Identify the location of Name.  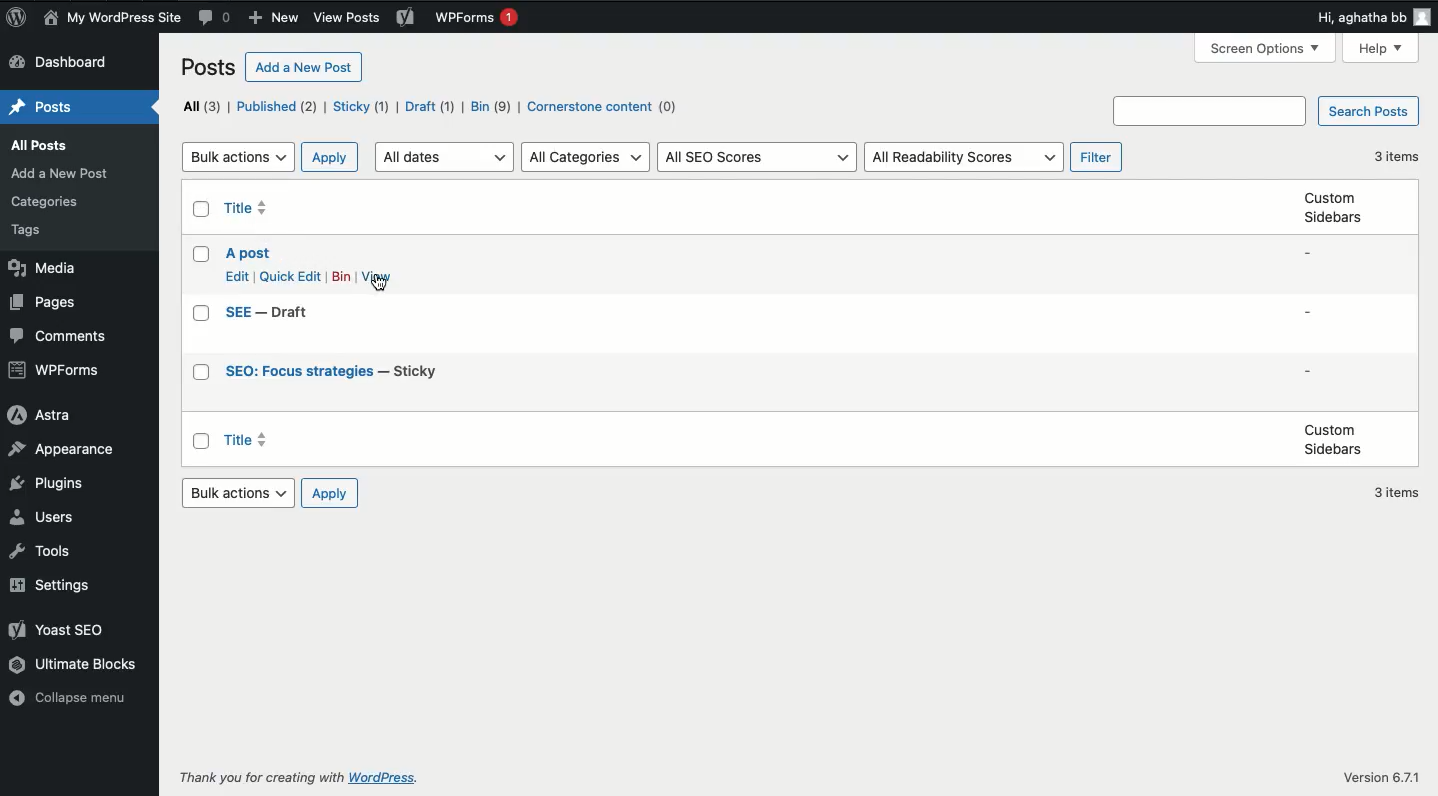
(110, 18).